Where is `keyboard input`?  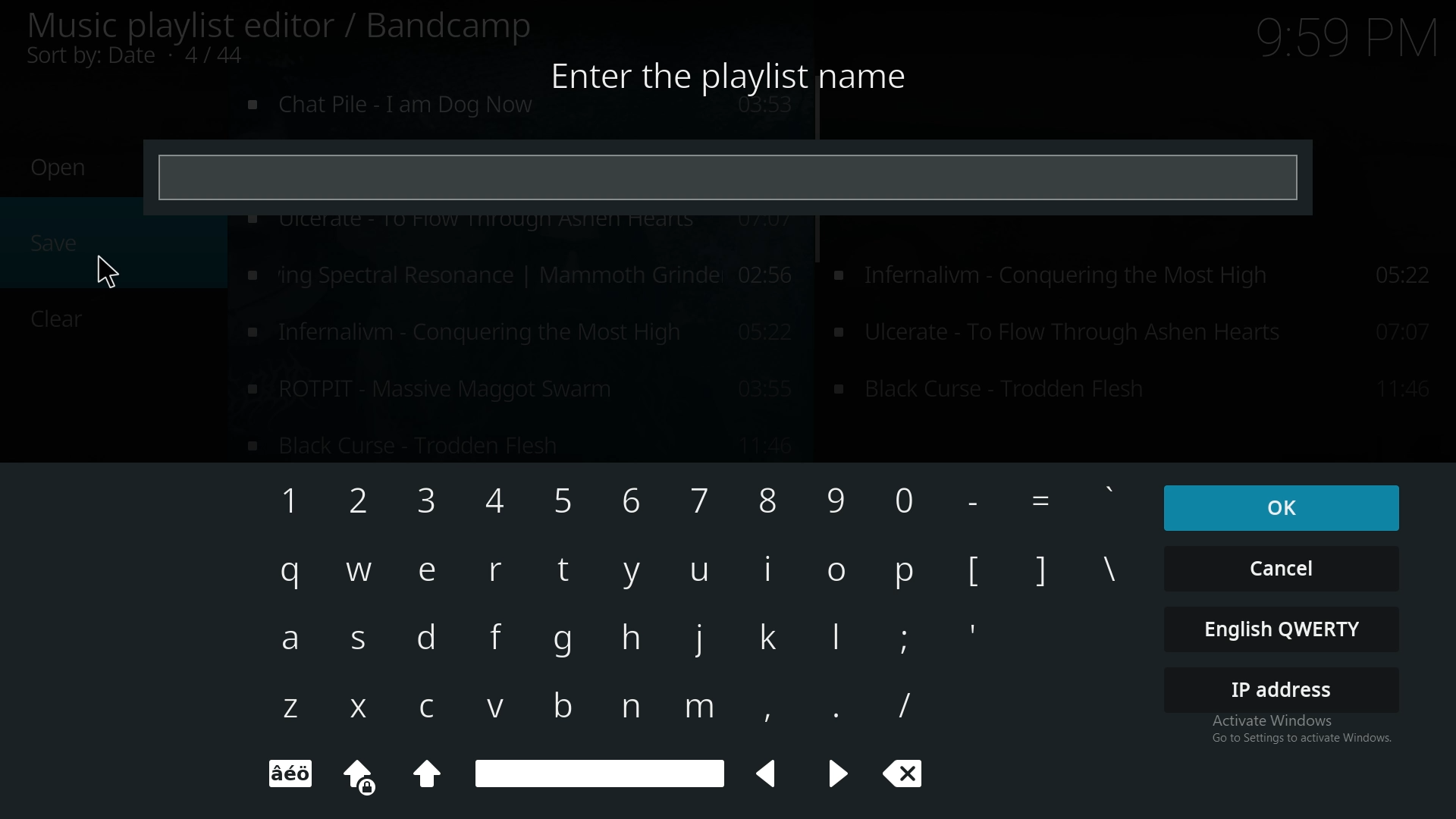
keyboard input is located at coordinates (566, 570).